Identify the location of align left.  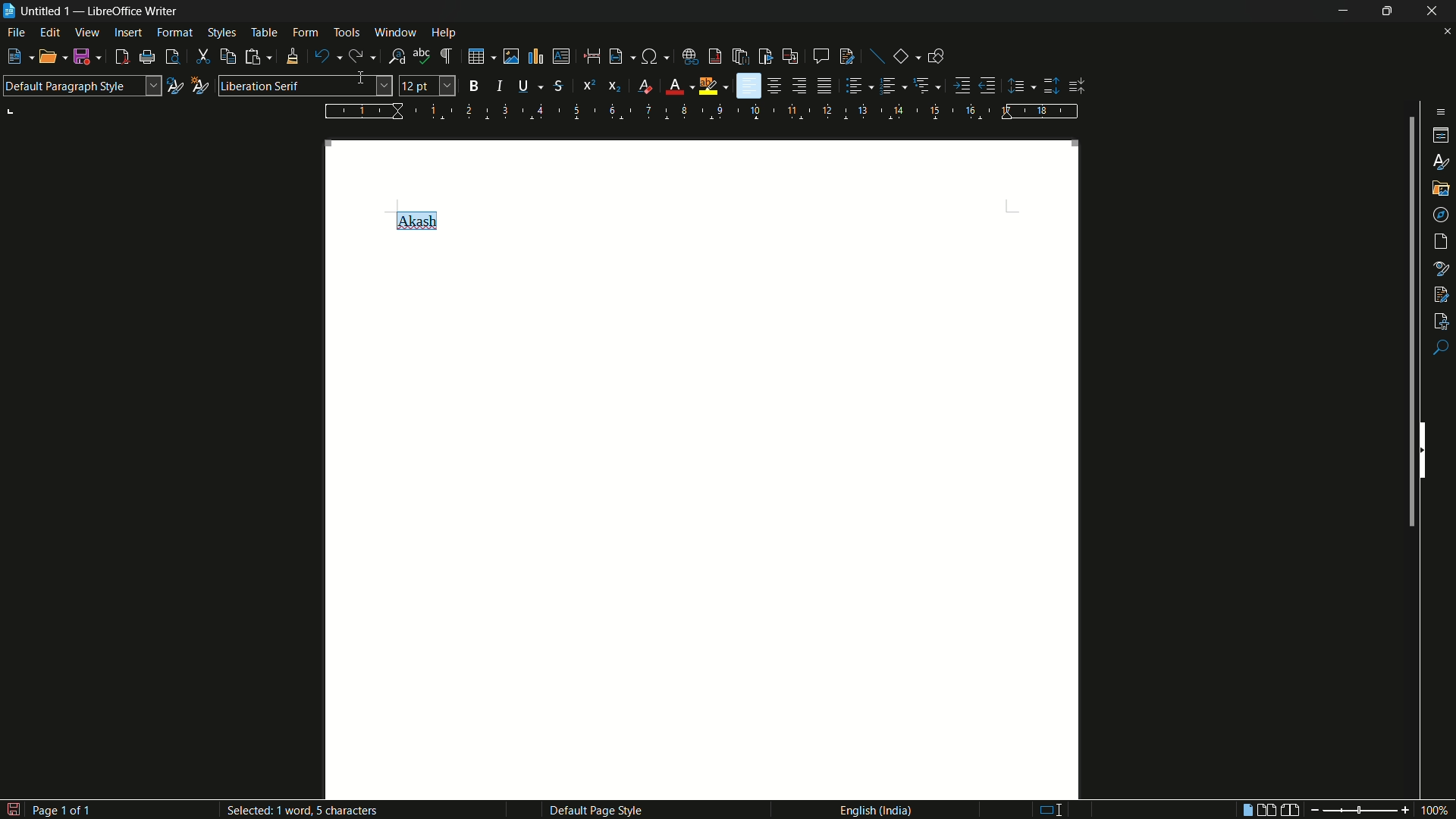
(748, 86).